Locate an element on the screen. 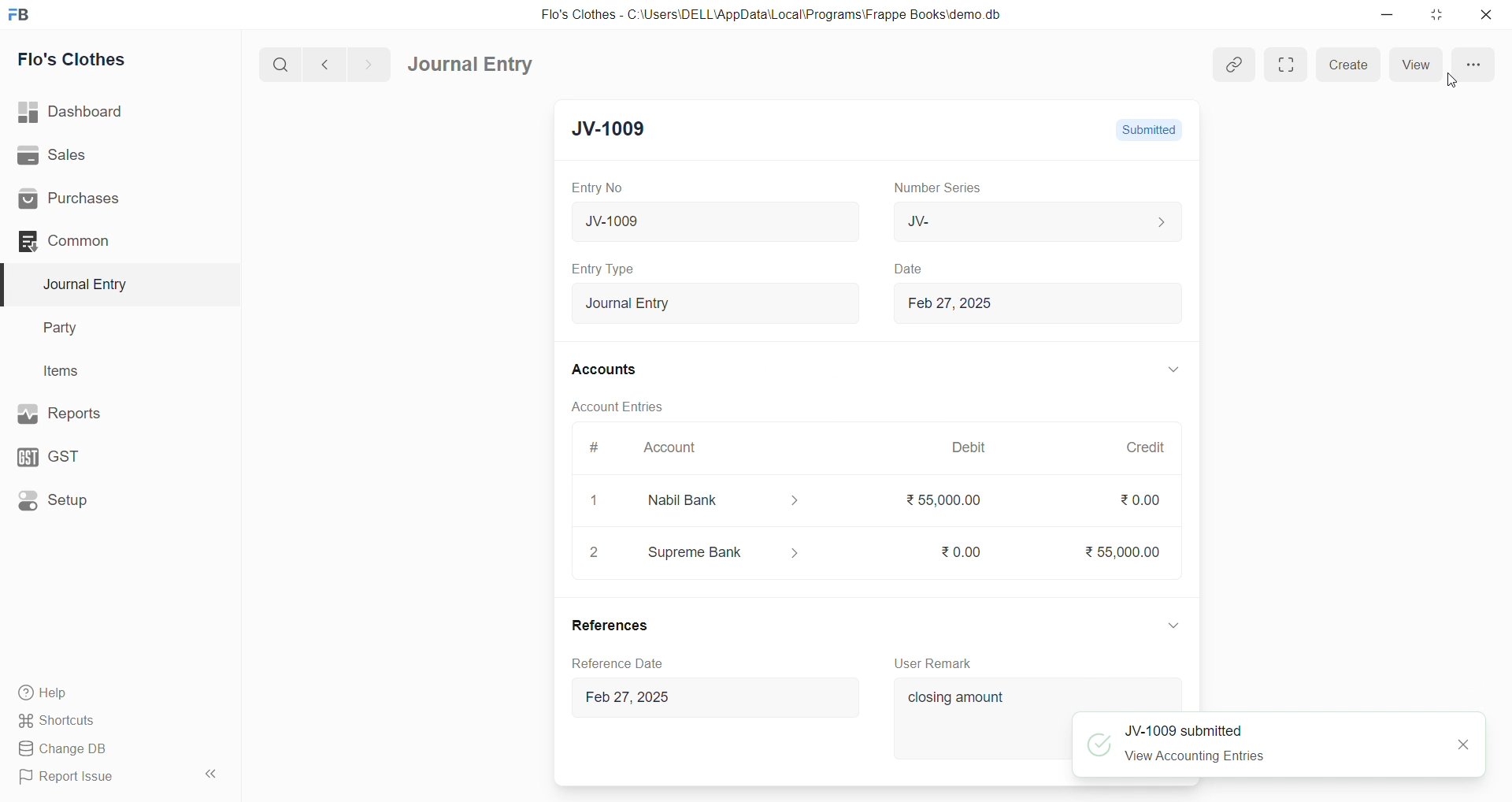  Fit window is located at coordinates (1287, 64).